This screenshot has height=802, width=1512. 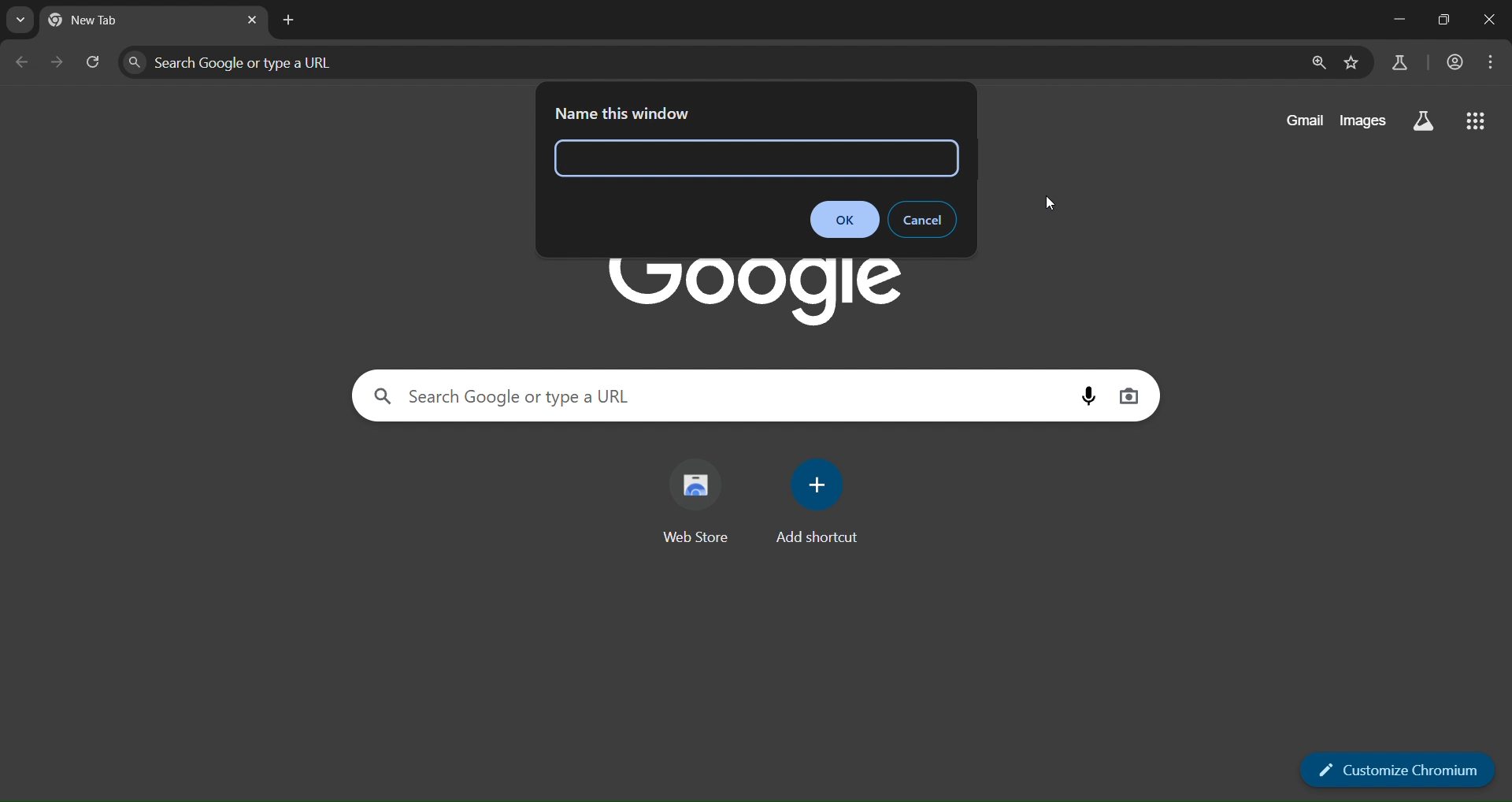 I want to click on gmail, so click(x=1301, y=122).